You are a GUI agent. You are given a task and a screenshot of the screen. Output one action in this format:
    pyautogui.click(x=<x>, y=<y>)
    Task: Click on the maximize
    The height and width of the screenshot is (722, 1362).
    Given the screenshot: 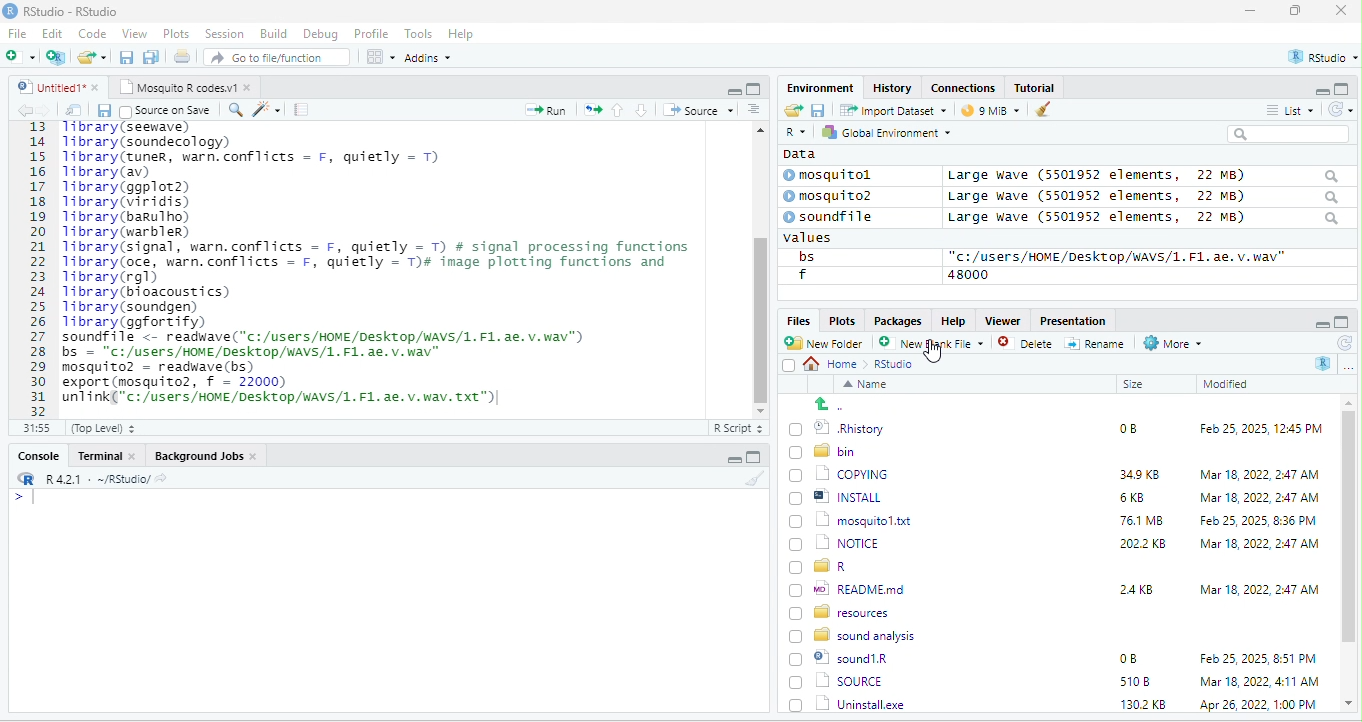 What is the action you would take?
    pyautogui.click(x=1344, y=320)
    